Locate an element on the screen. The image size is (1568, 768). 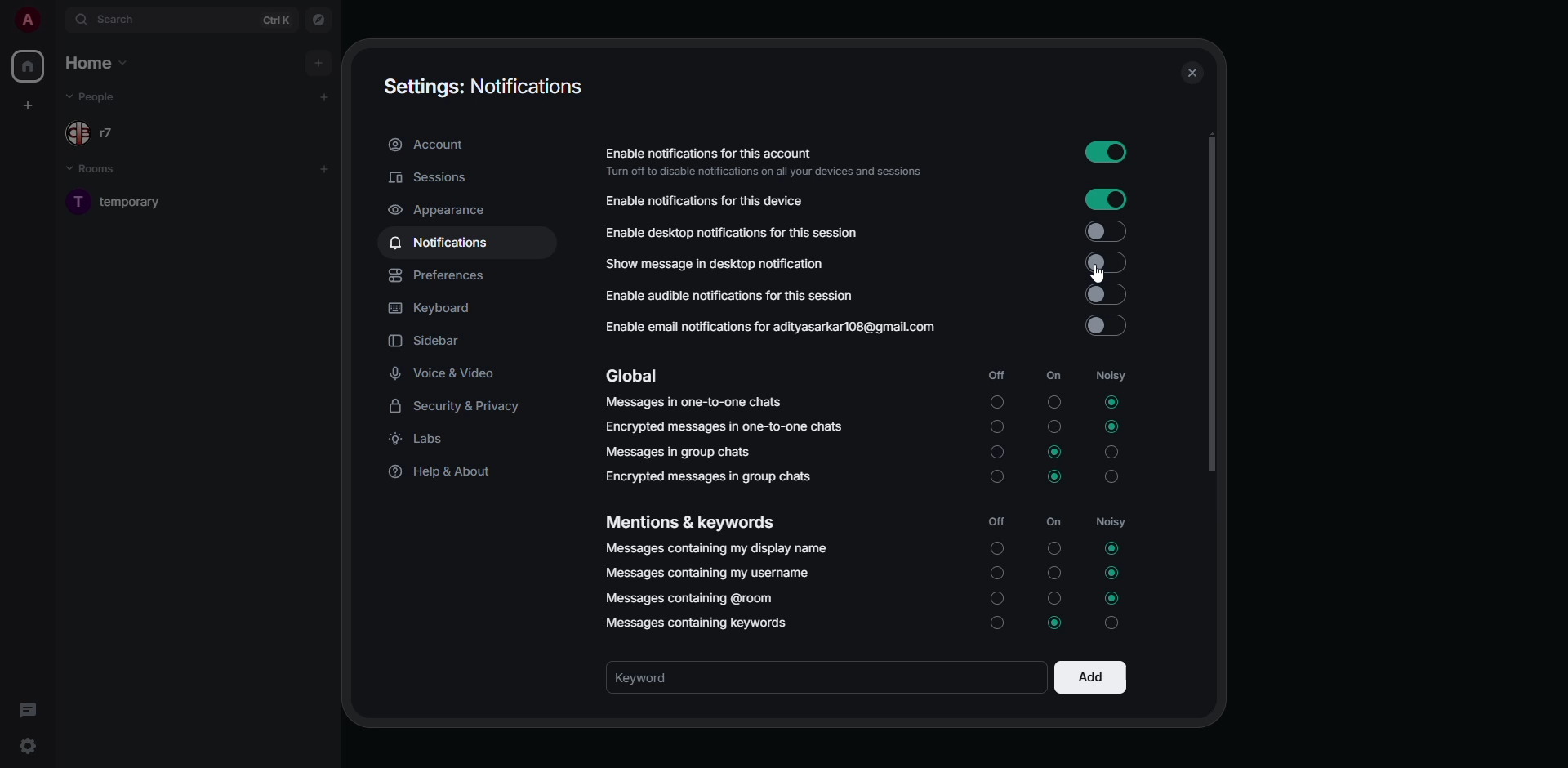
selected is located at coordinates (1113, 574).